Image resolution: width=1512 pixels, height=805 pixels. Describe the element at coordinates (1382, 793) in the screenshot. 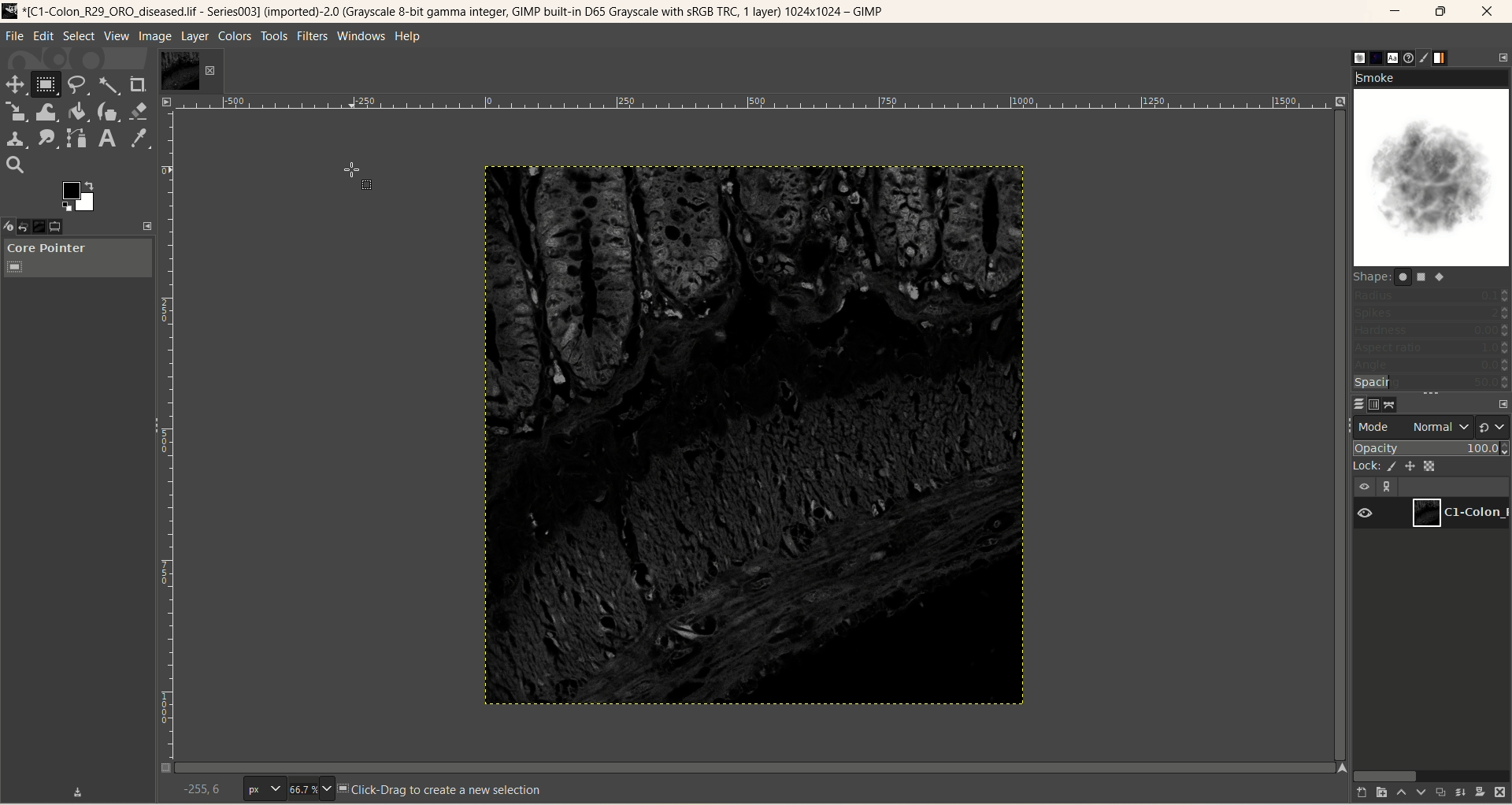

I see `create a new layer and add it to image` at that location.